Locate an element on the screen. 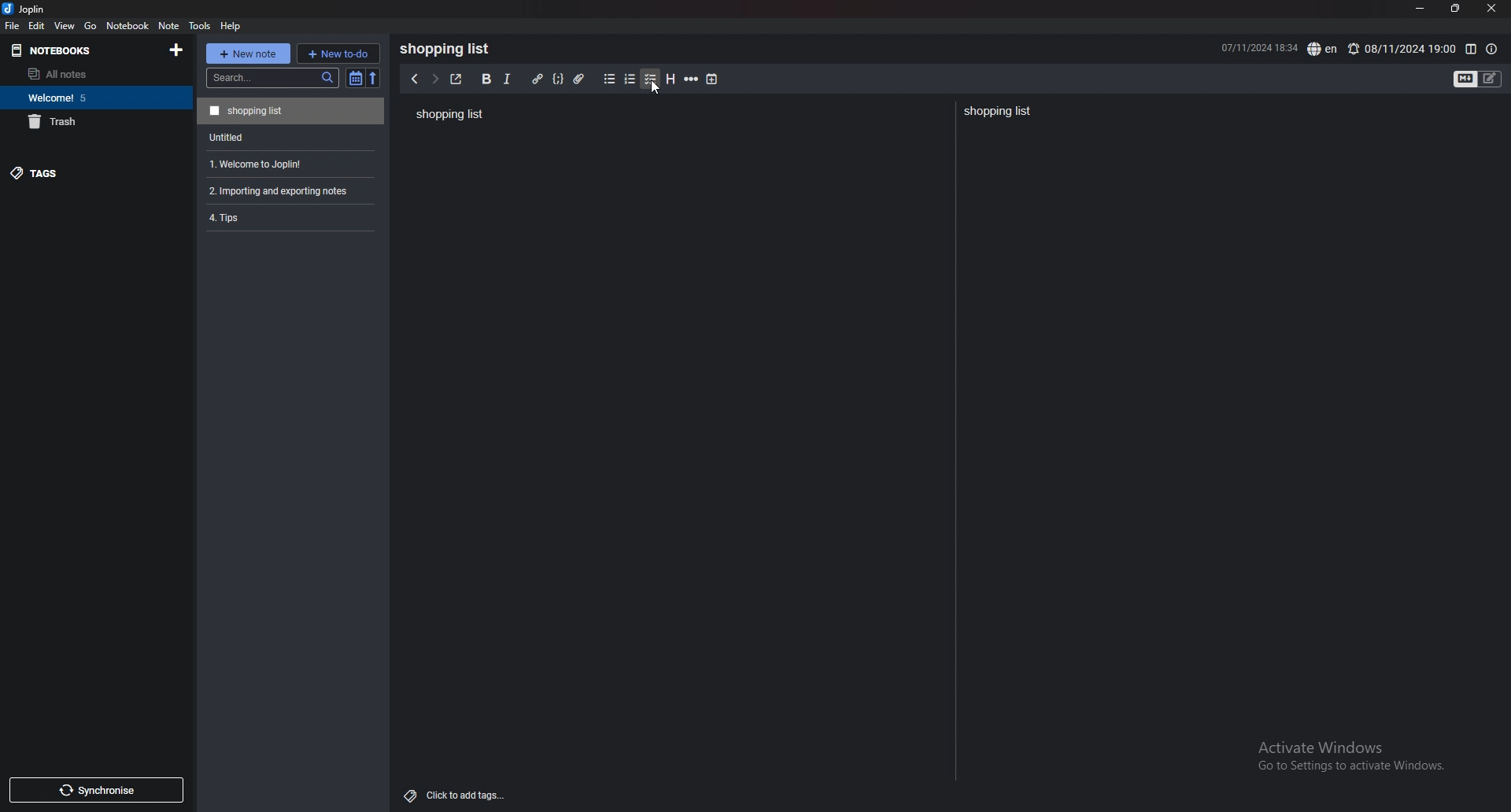  reverse sort order is located at coordinates (376, 78).